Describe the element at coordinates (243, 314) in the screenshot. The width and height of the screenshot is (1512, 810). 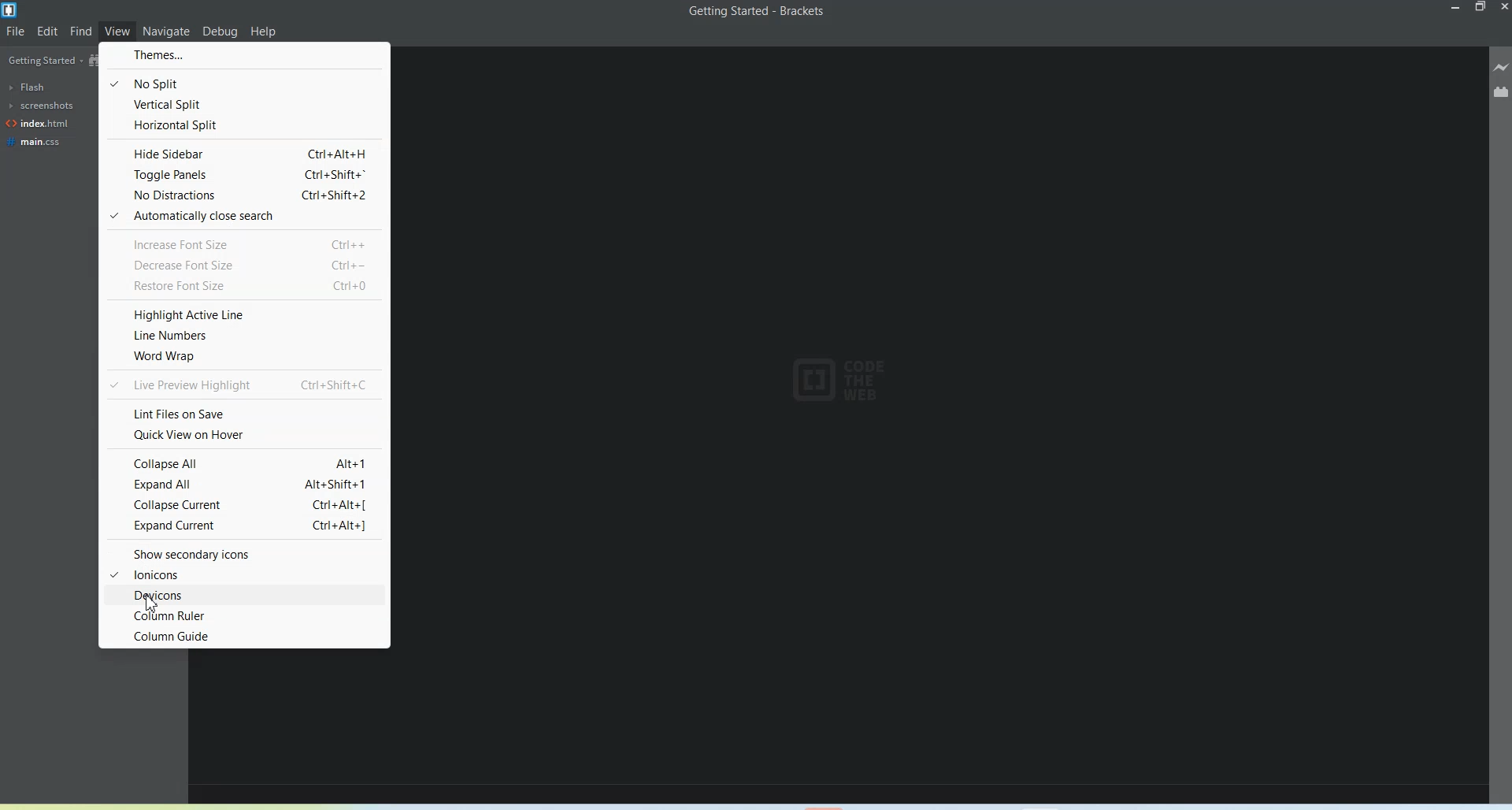
I see `Highlight Active Line` at that location.